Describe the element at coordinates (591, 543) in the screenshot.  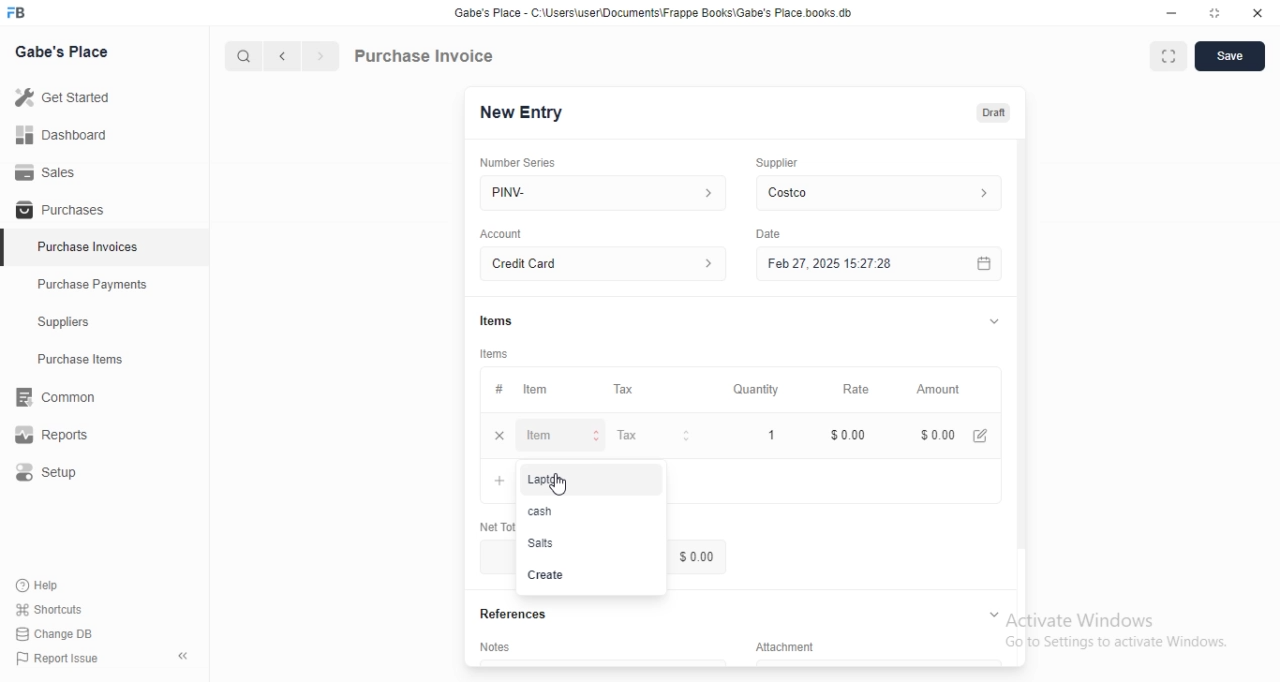
I see `salts` at that location.